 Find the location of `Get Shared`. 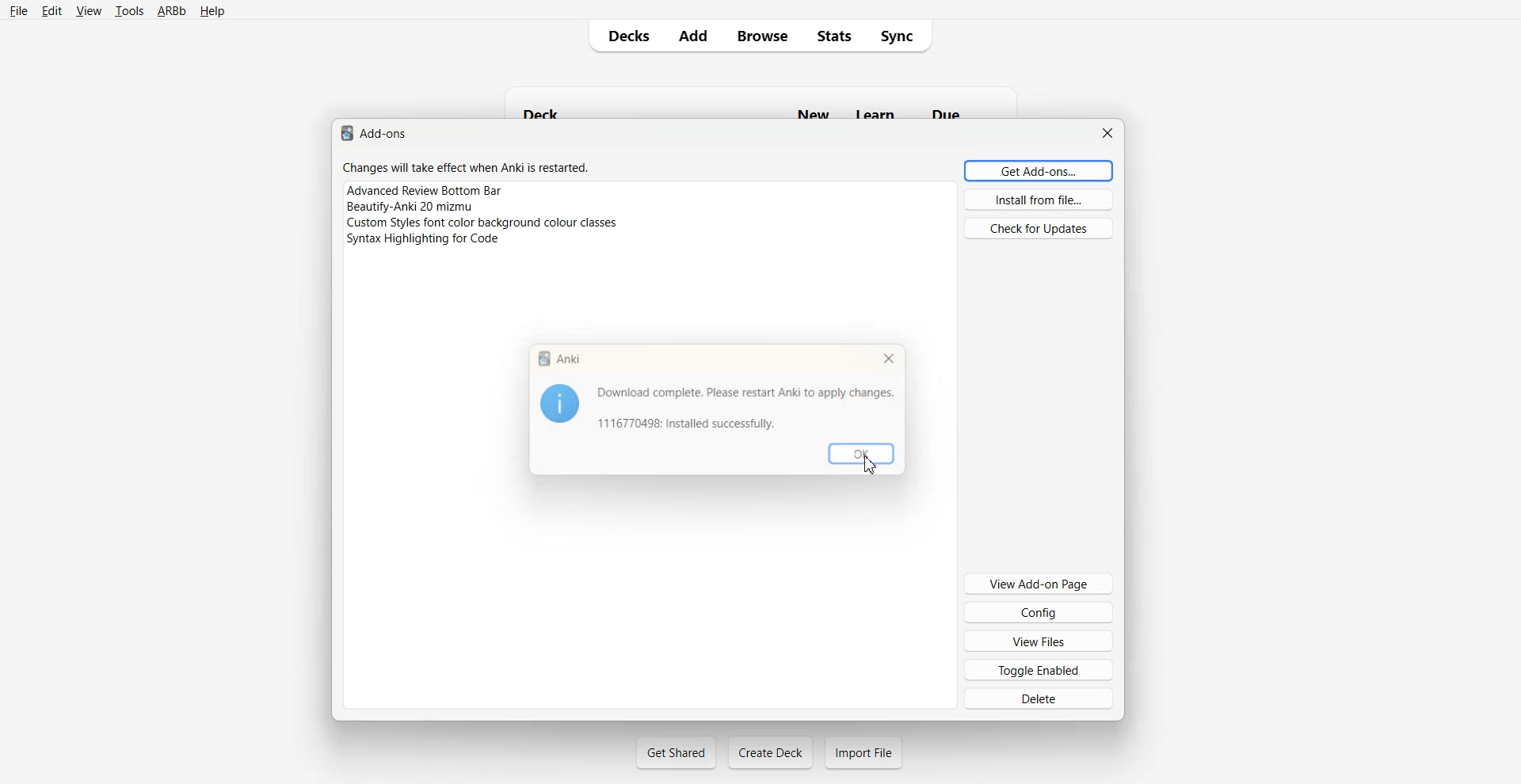

Get Shared is located at coordinates (677, 751).